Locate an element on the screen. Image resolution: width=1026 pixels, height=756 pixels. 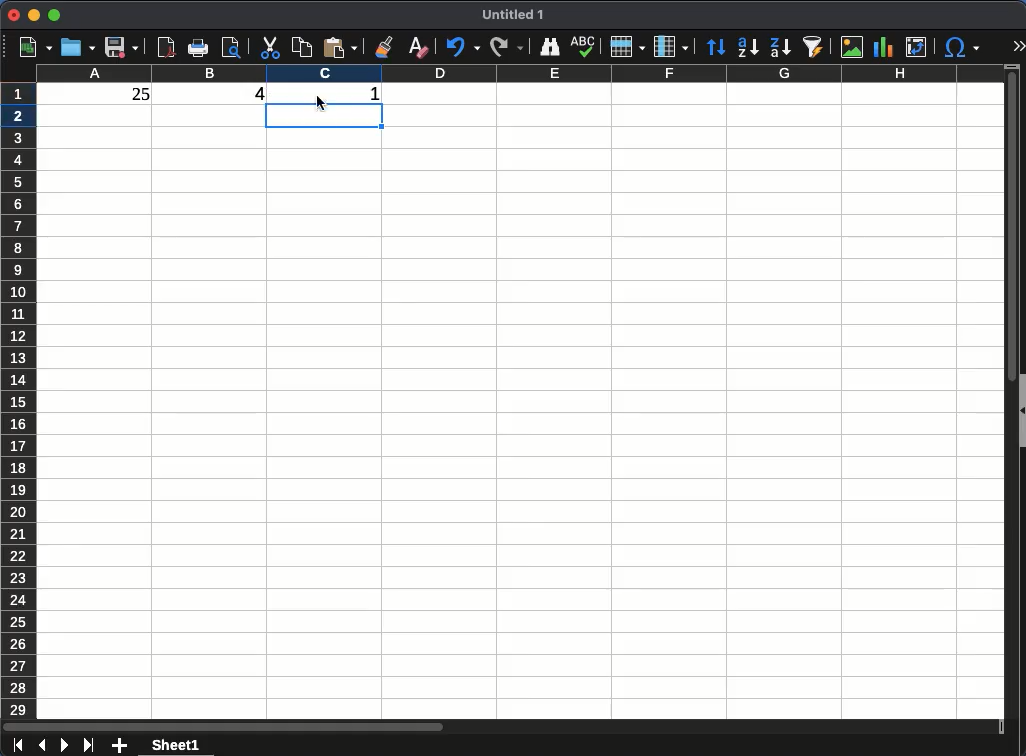
previous sheet is located at coordinates (42, 745).